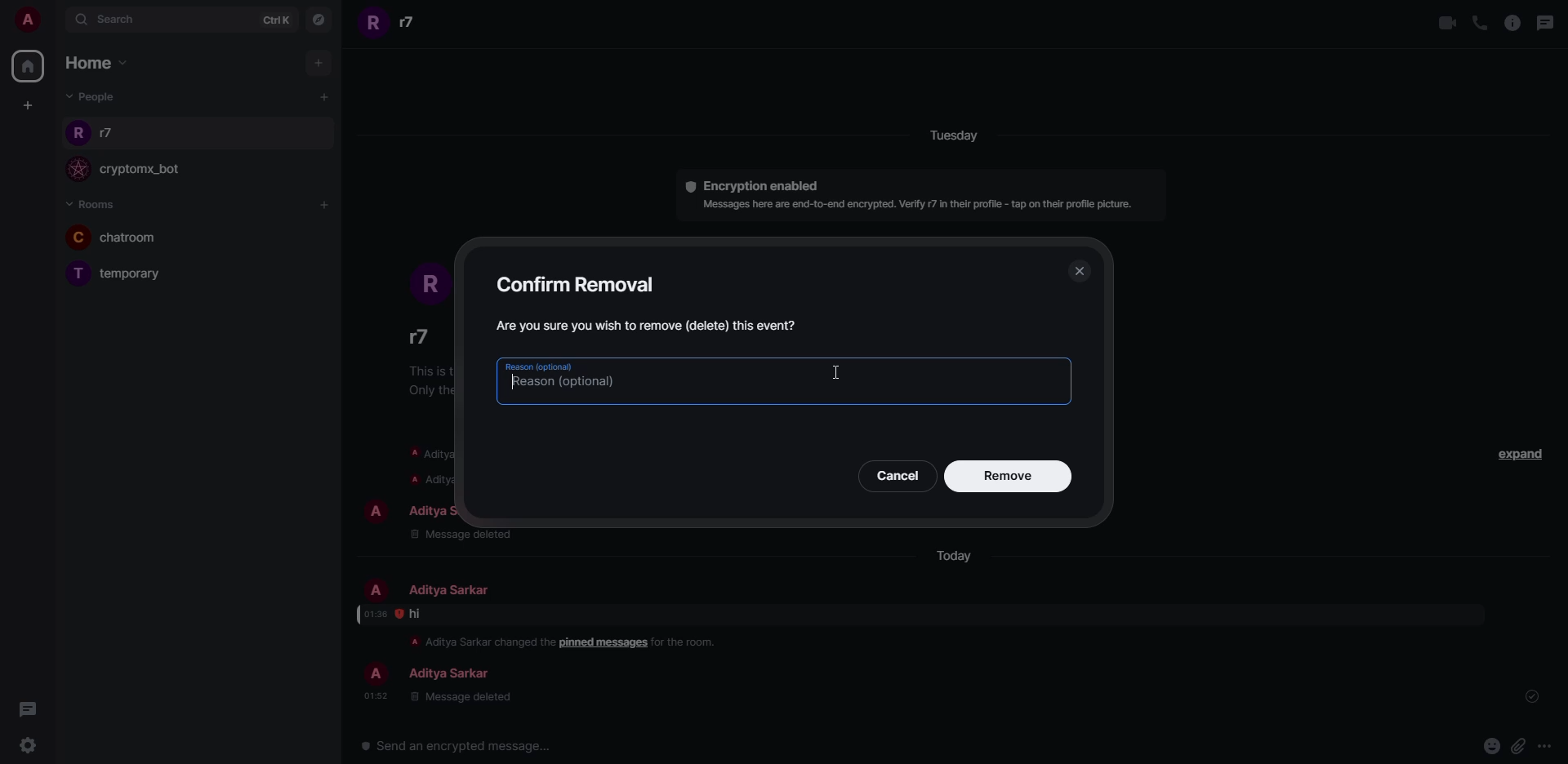 The width and height of the screenshot is (1568, 764). I want to click on day, so click(973, 137).